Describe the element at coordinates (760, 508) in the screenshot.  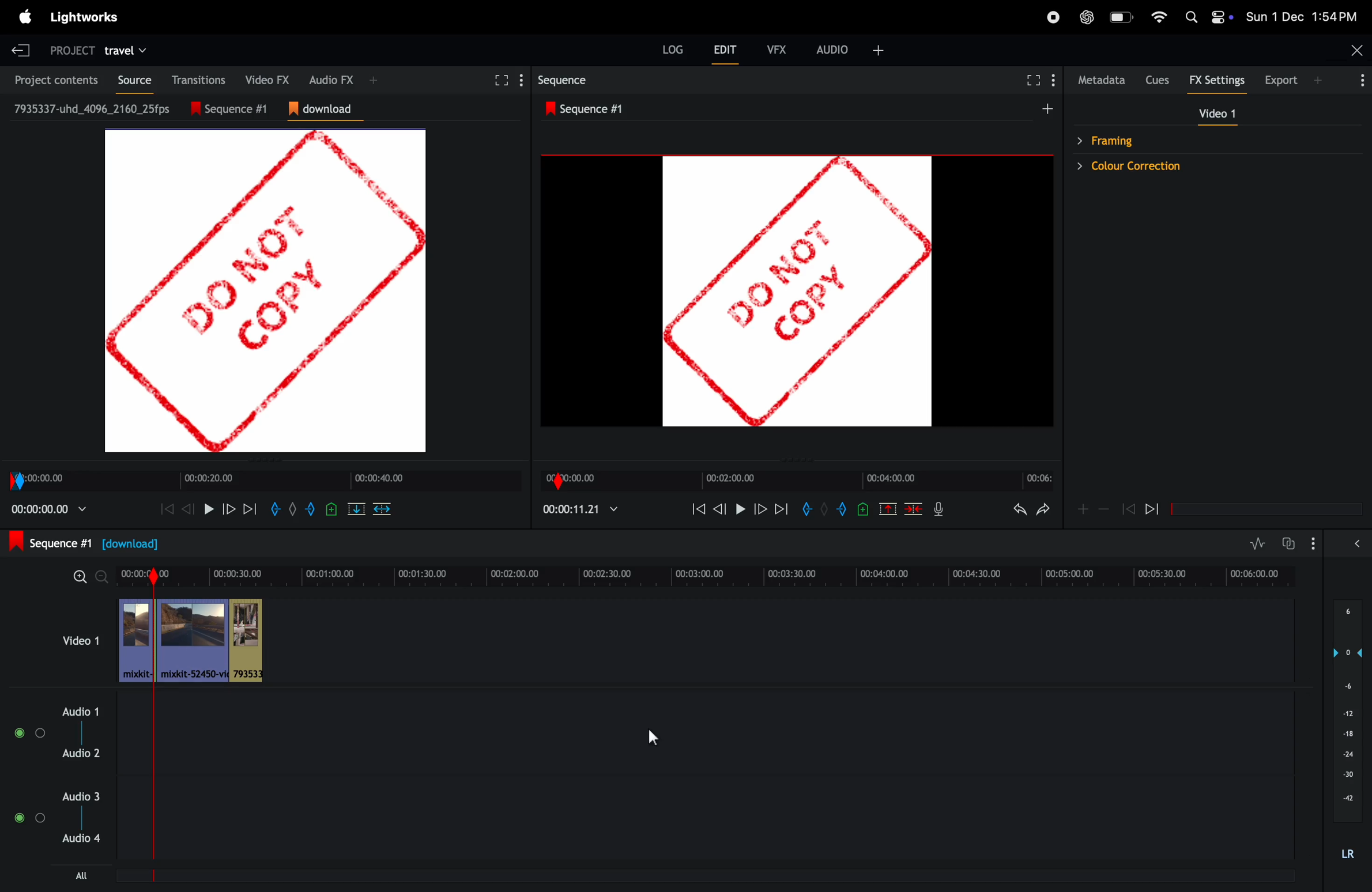
I see `forward` at that location.